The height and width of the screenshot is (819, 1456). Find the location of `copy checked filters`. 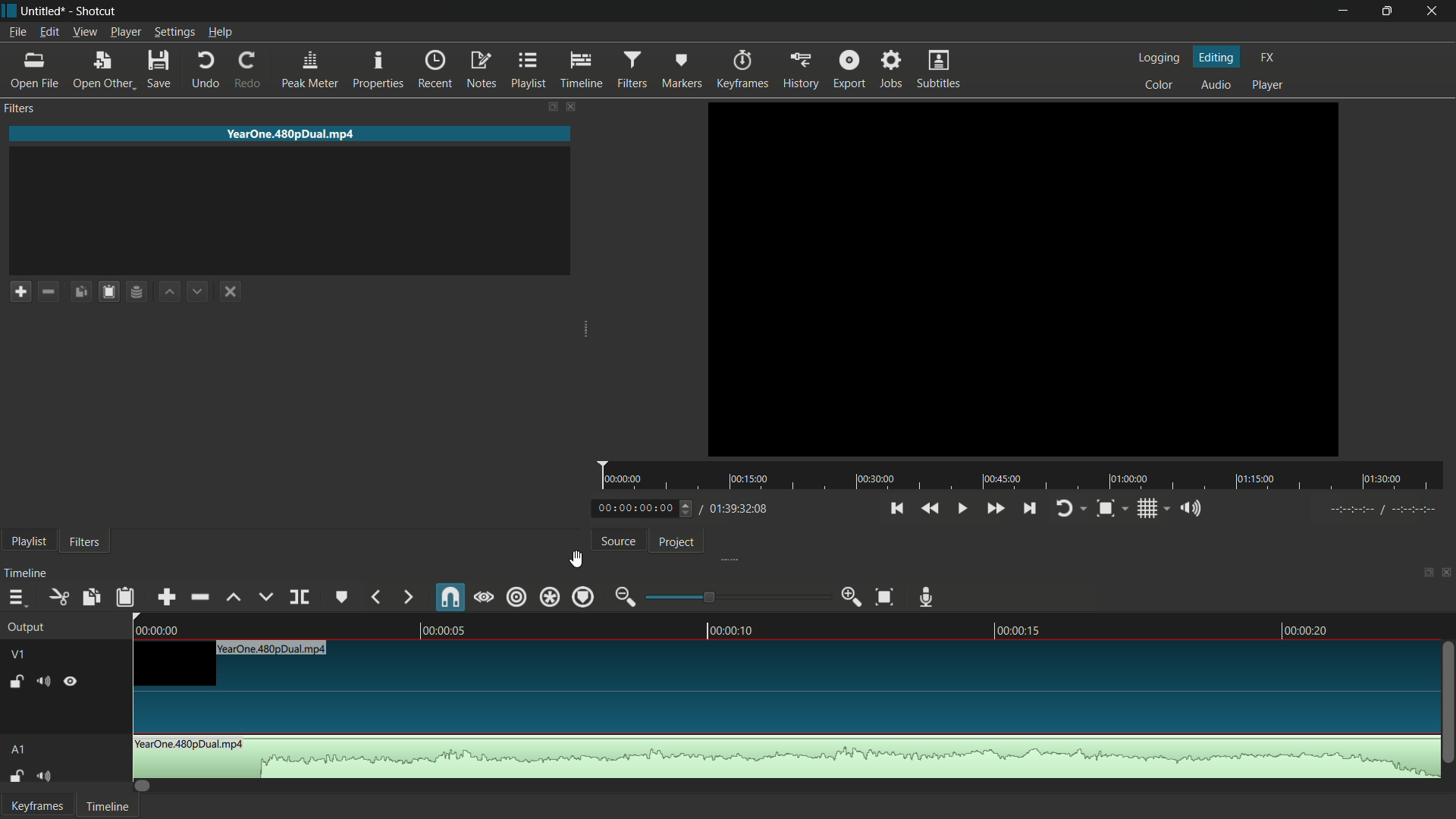

copy checked filters is located at coordinates (81, 292).